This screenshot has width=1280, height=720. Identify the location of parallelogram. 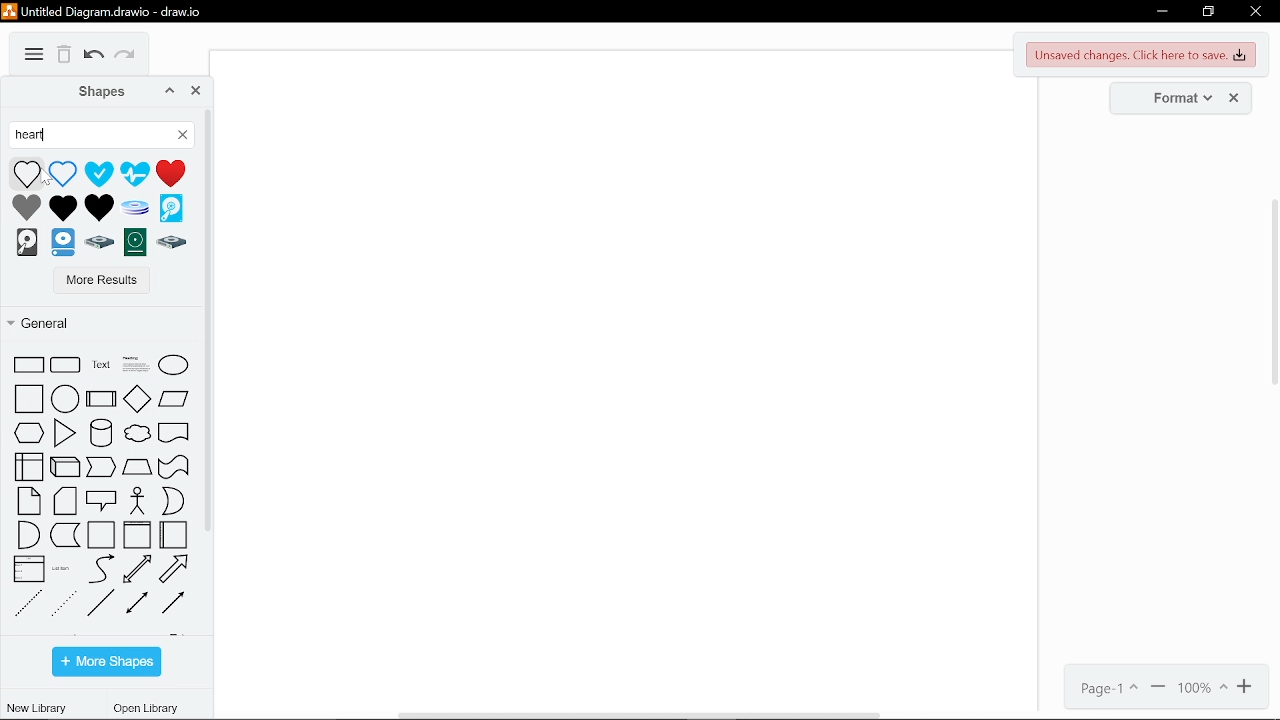
(174, 396).